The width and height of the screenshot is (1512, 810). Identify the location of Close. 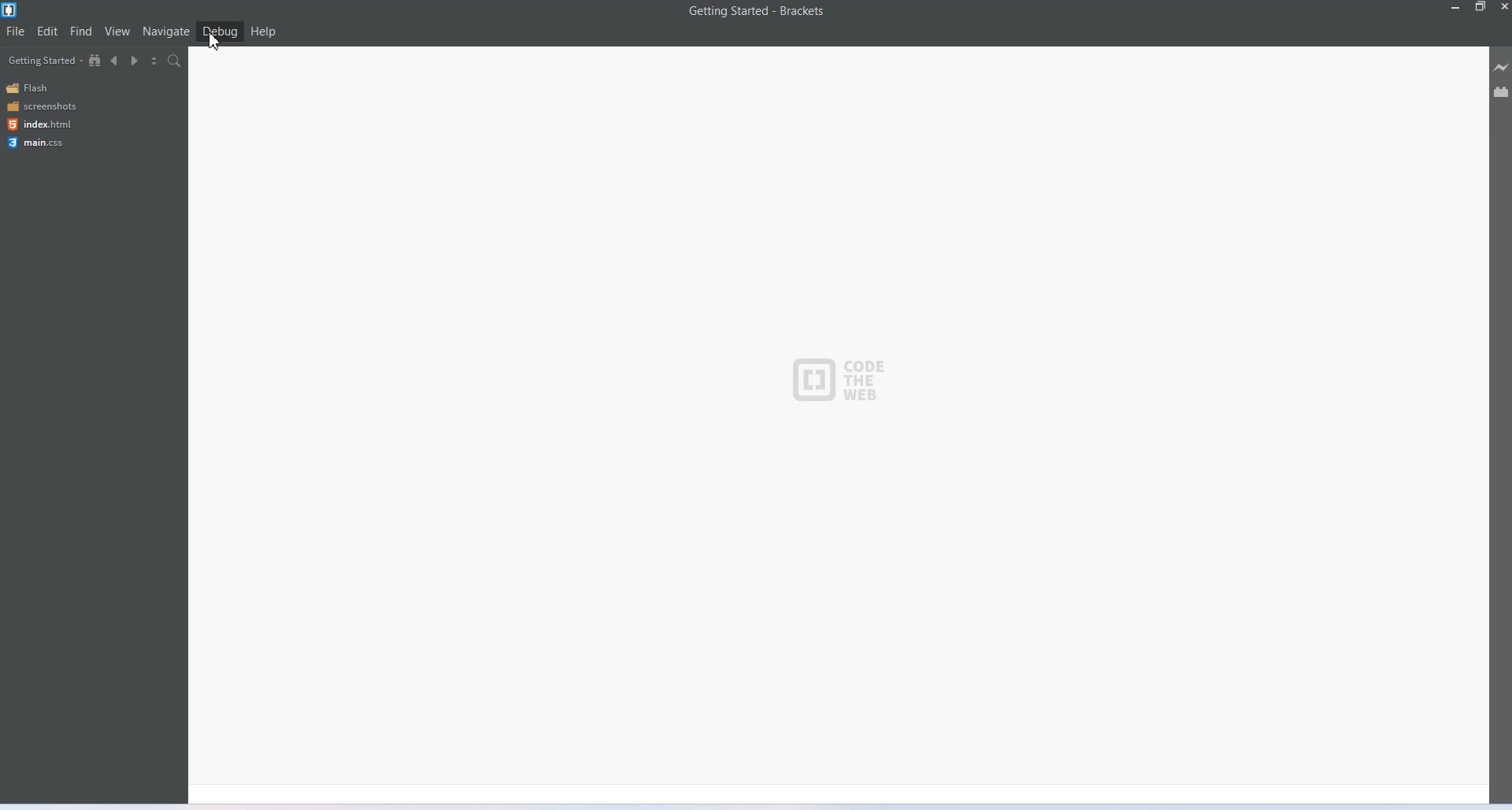
(1503, 8).